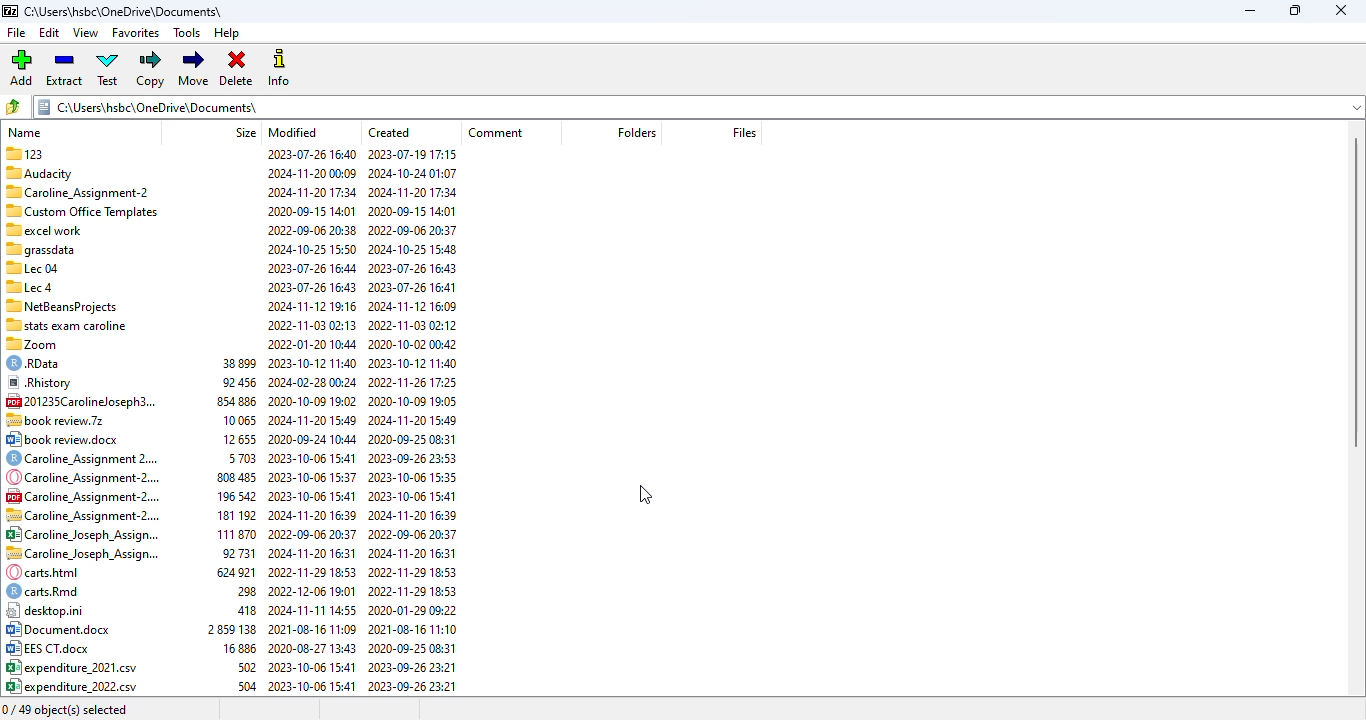  Describe the element at coordinates (13, 106) in the screenshot. I see `browse folders` at that location.